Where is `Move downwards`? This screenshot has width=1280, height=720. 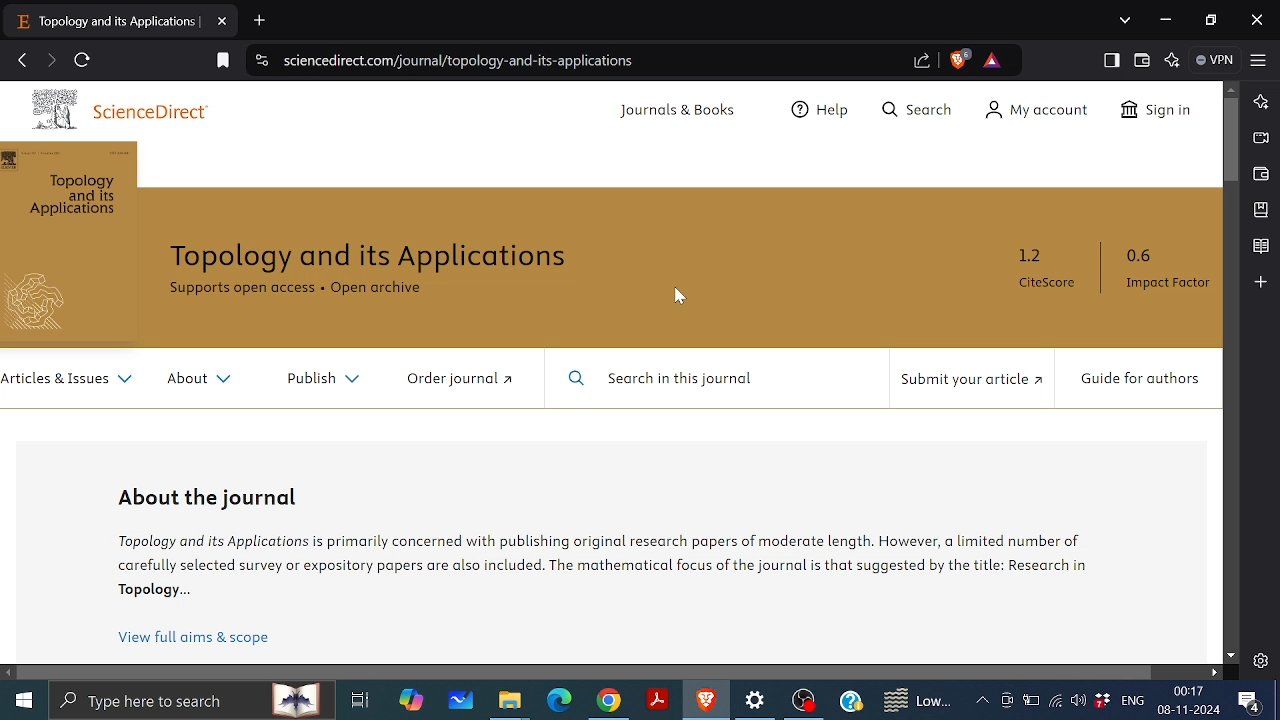 Move downwards is located at coordinates (1230, 657).